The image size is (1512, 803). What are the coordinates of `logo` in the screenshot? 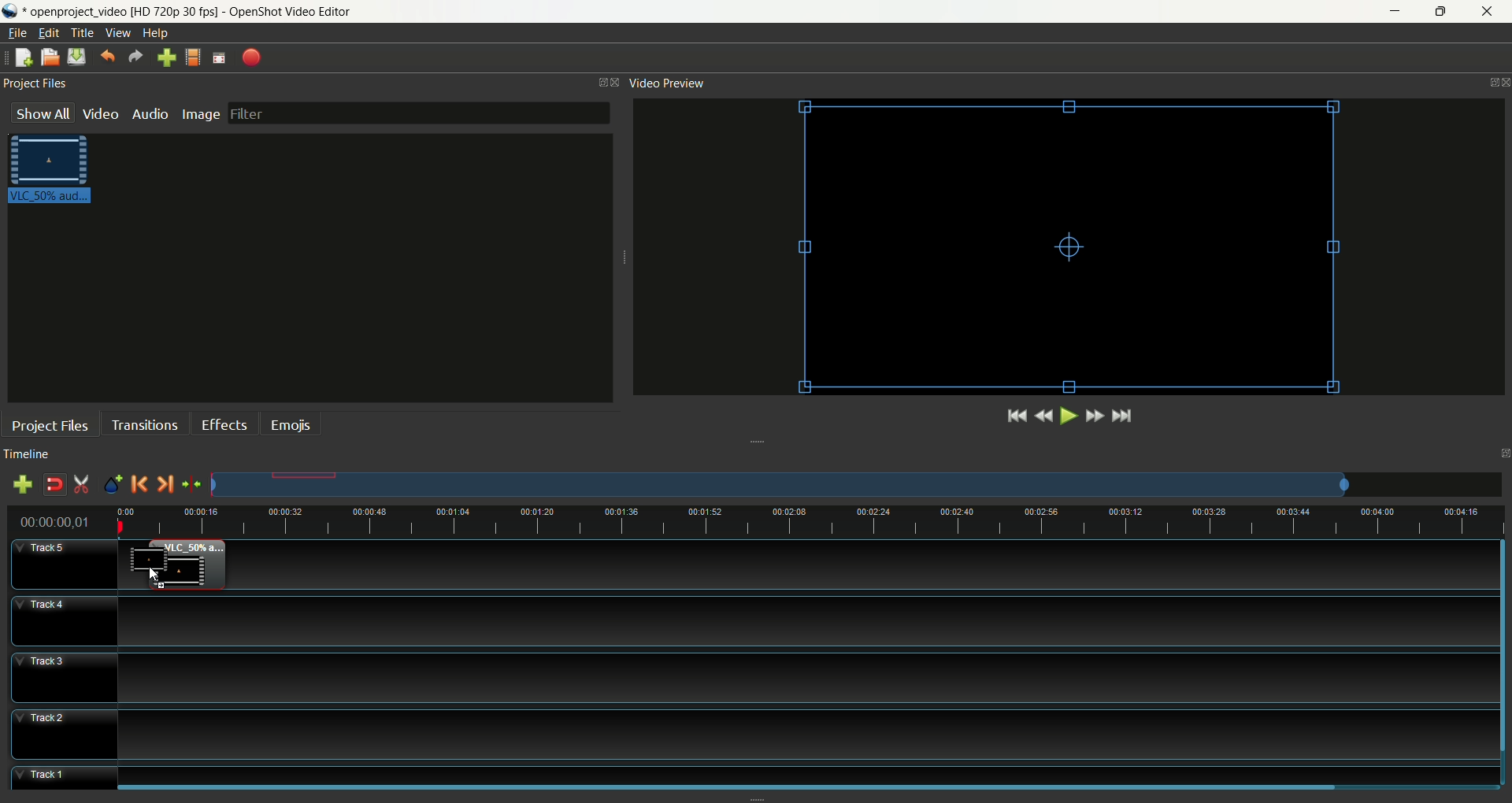 It's located at (13, 11).